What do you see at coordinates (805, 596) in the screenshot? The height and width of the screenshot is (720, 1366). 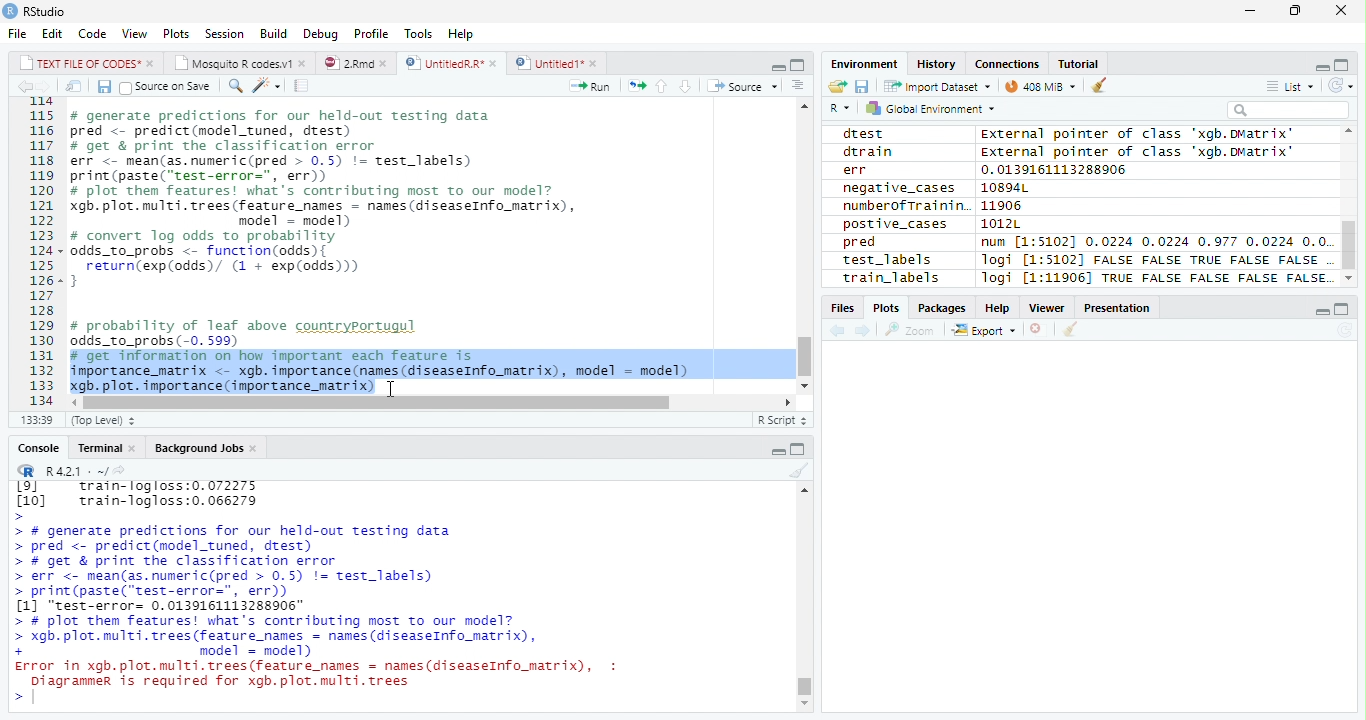 I see `Scroll` at bounding box center [805, 596].